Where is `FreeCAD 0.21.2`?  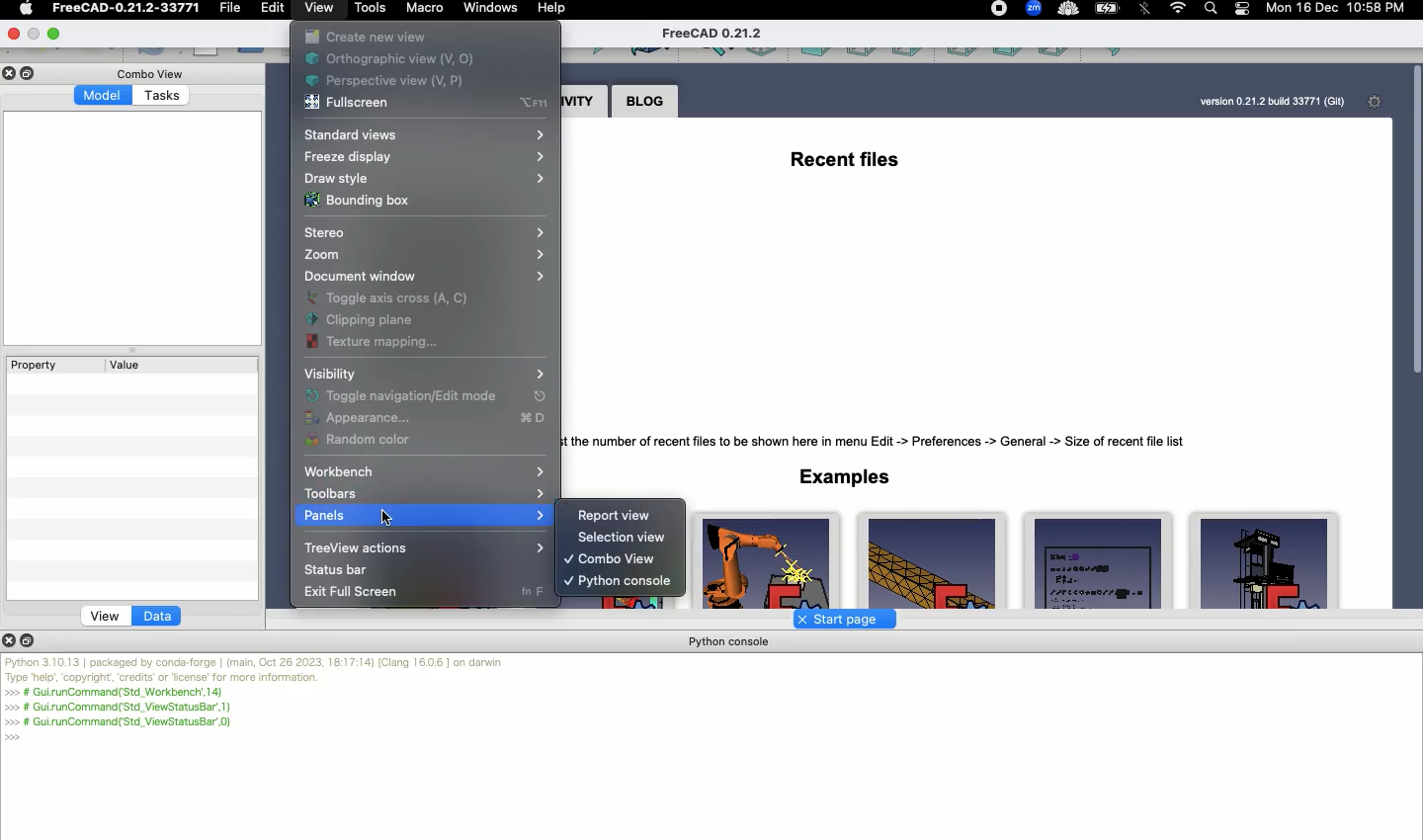 FreeCAD 0.21.2 is located at coordinates (714, 34).